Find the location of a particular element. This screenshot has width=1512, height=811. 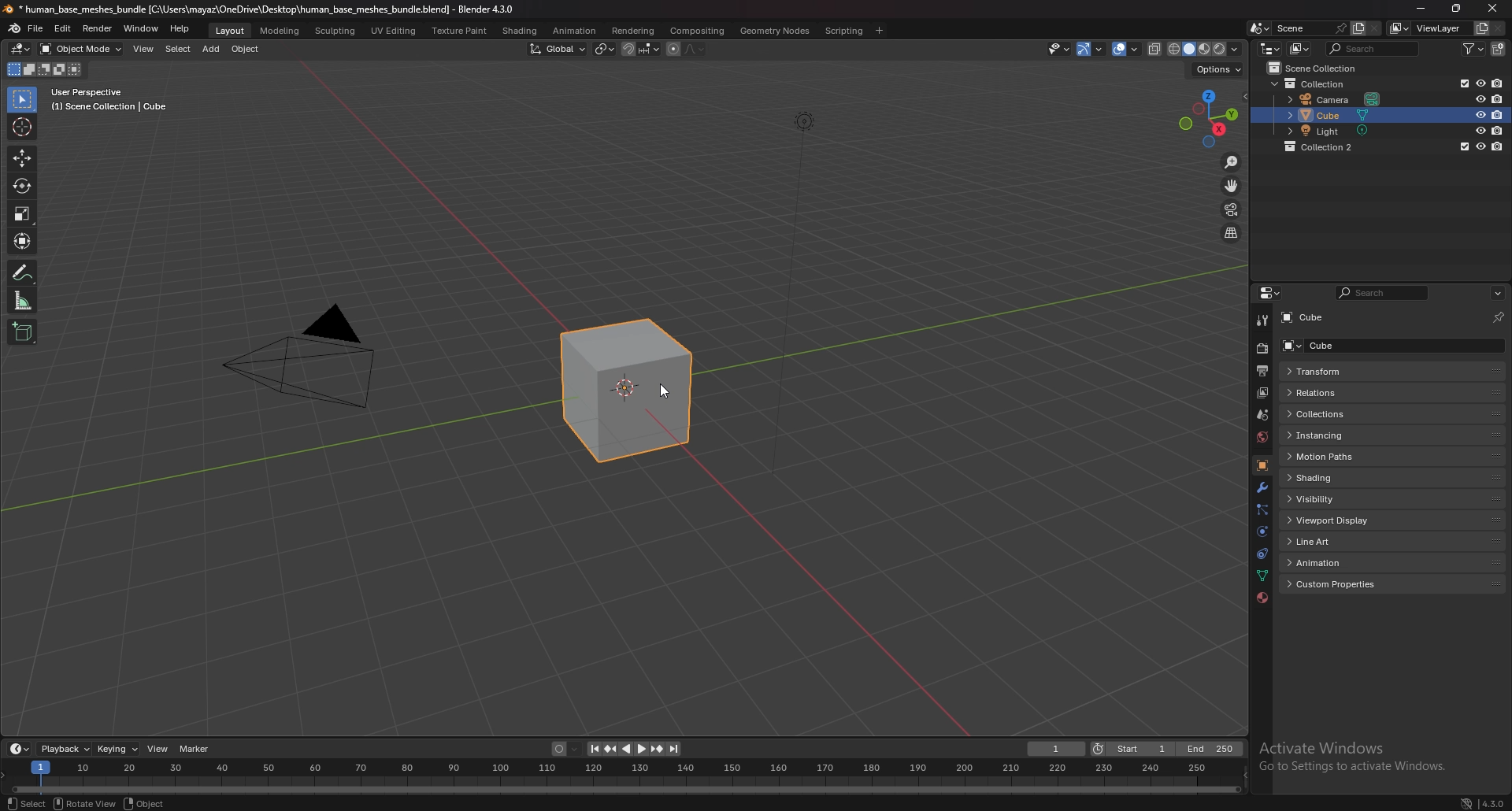

select is located at coordinates (178, 49).